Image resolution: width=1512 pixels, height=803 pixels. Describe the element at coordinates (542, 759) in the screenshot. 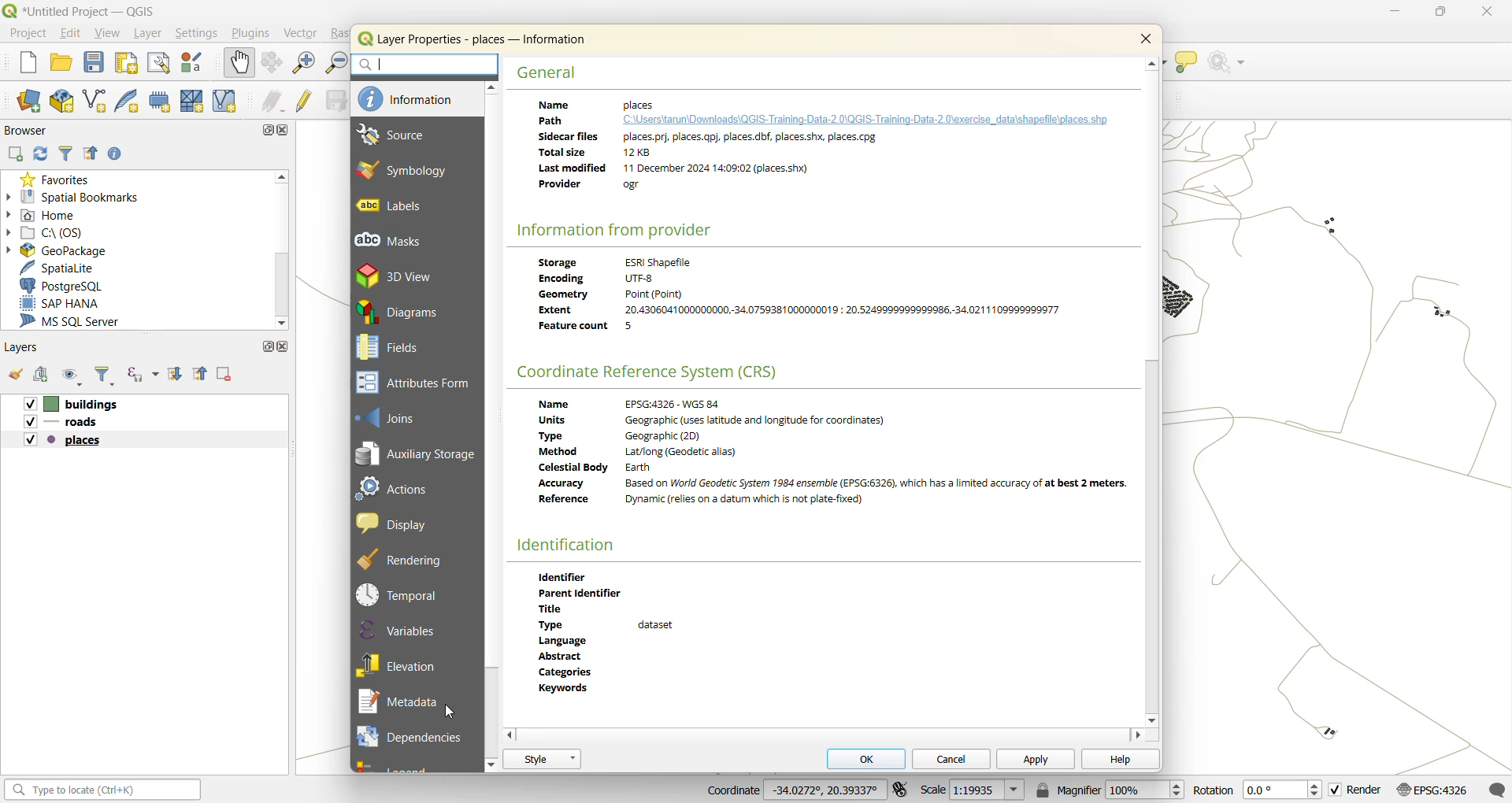

I see `style` at that location.